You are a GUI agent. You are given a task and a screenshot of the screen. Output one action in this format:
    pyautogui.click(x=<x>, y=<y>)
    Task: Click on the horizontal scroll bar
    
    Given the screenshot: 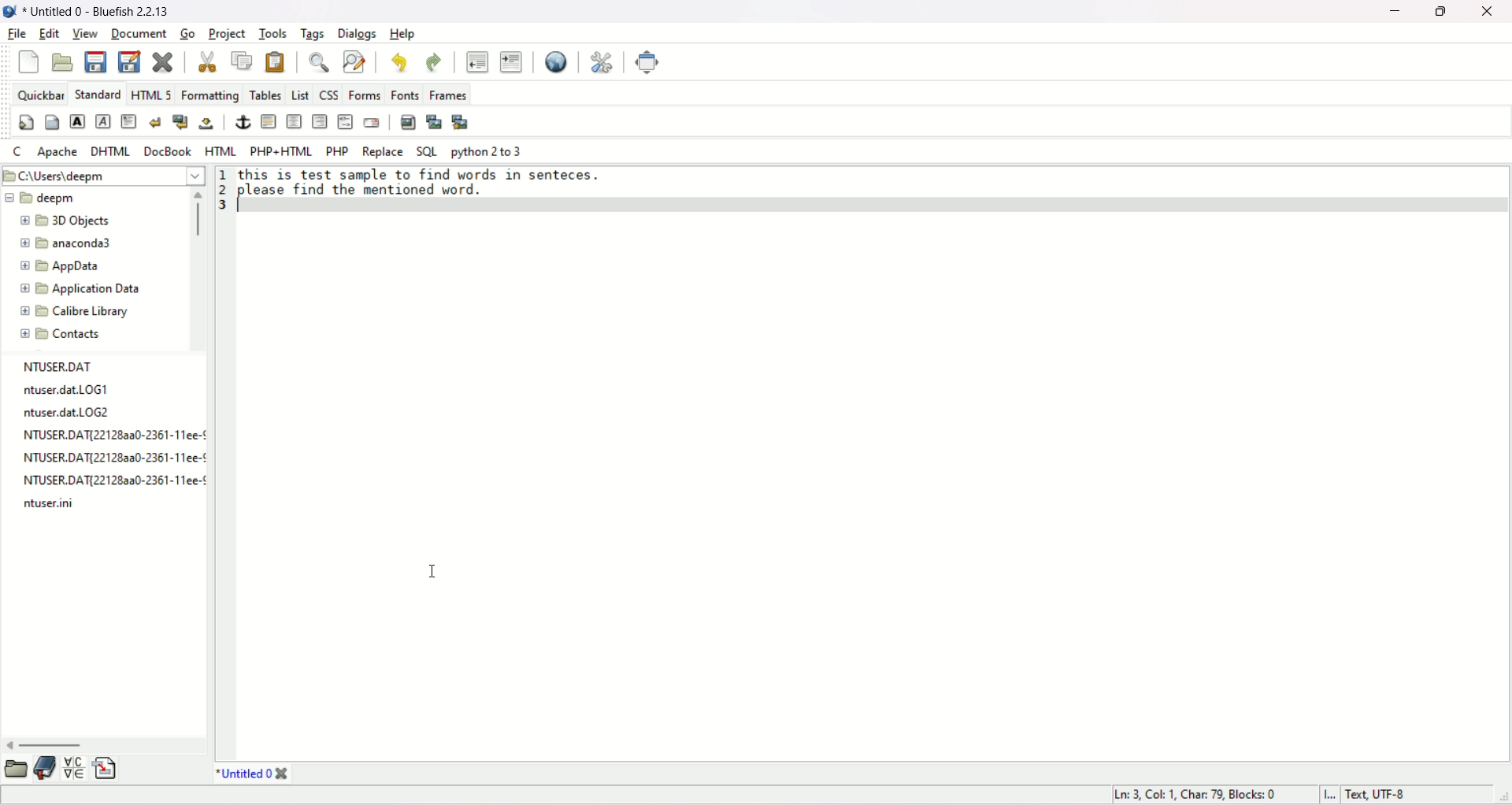 What is the action you would take?
    pyautogui.click(x=46, y=745)
    